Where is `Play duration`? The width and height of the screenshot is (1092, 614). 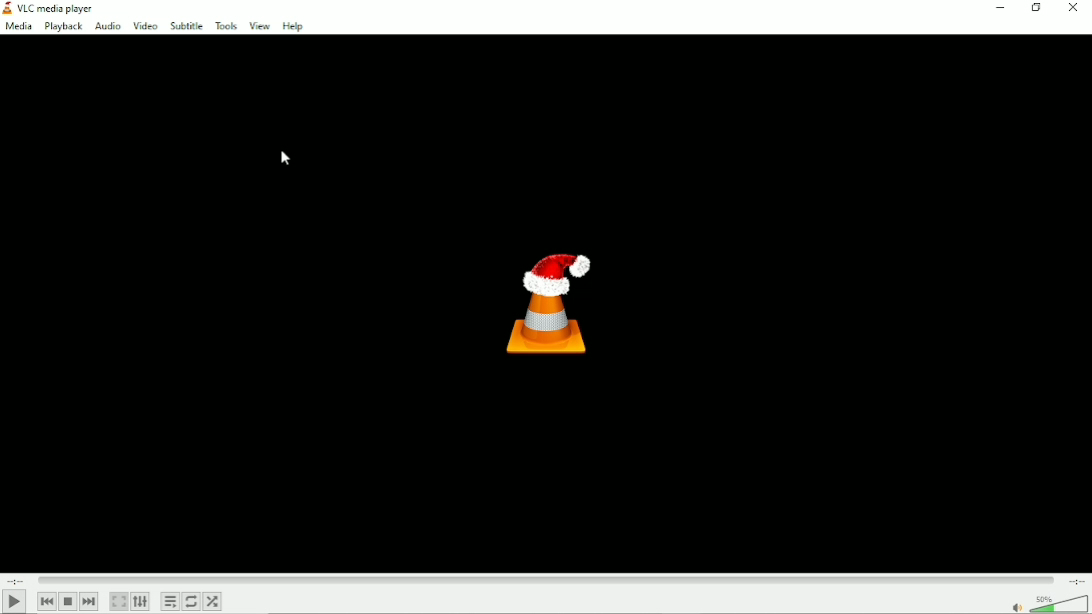
Play duration is located at coordinates (544, 579).